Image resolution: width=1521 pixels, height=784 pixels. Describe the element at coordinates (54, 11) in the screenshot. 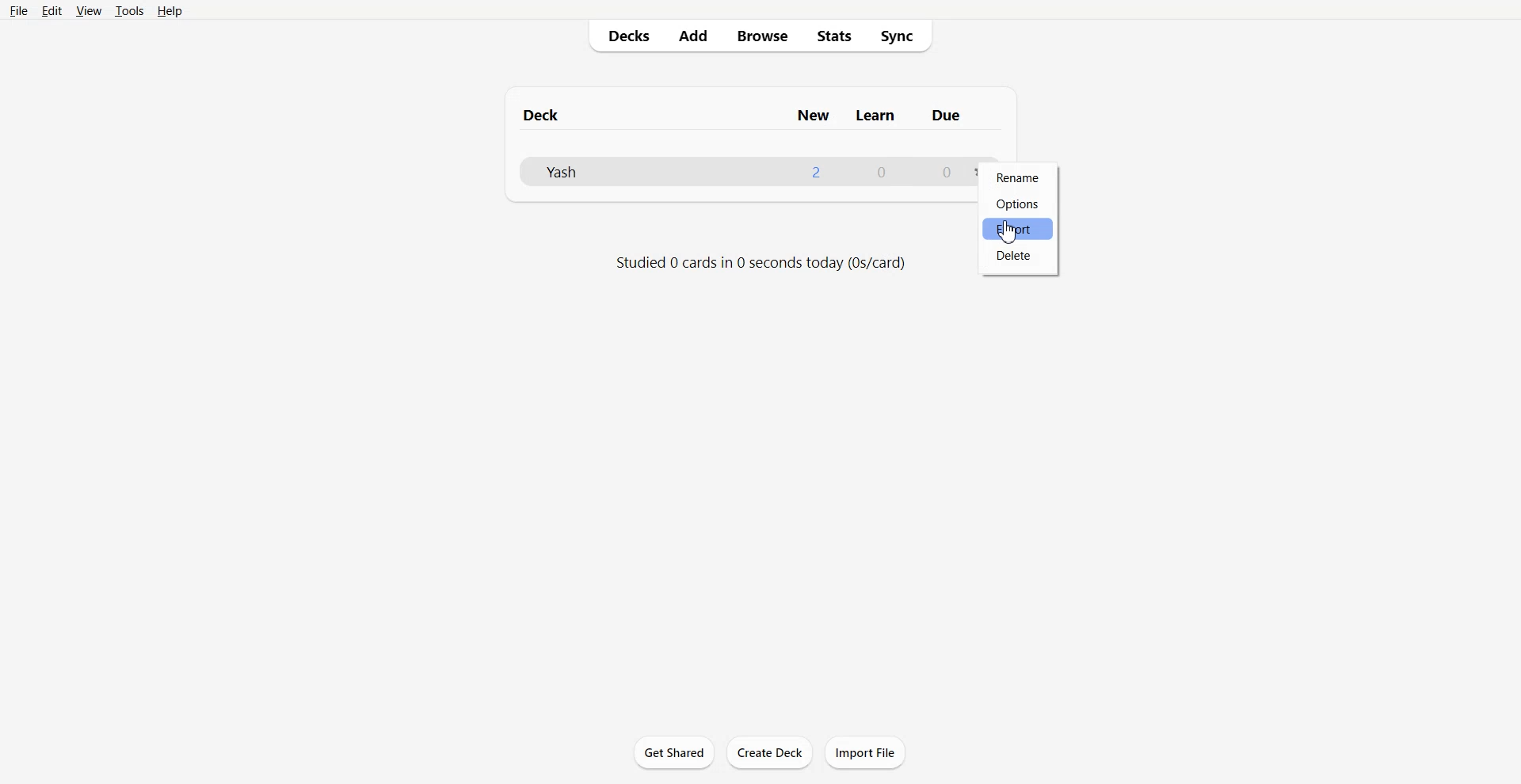

I see `Edit` at that location.